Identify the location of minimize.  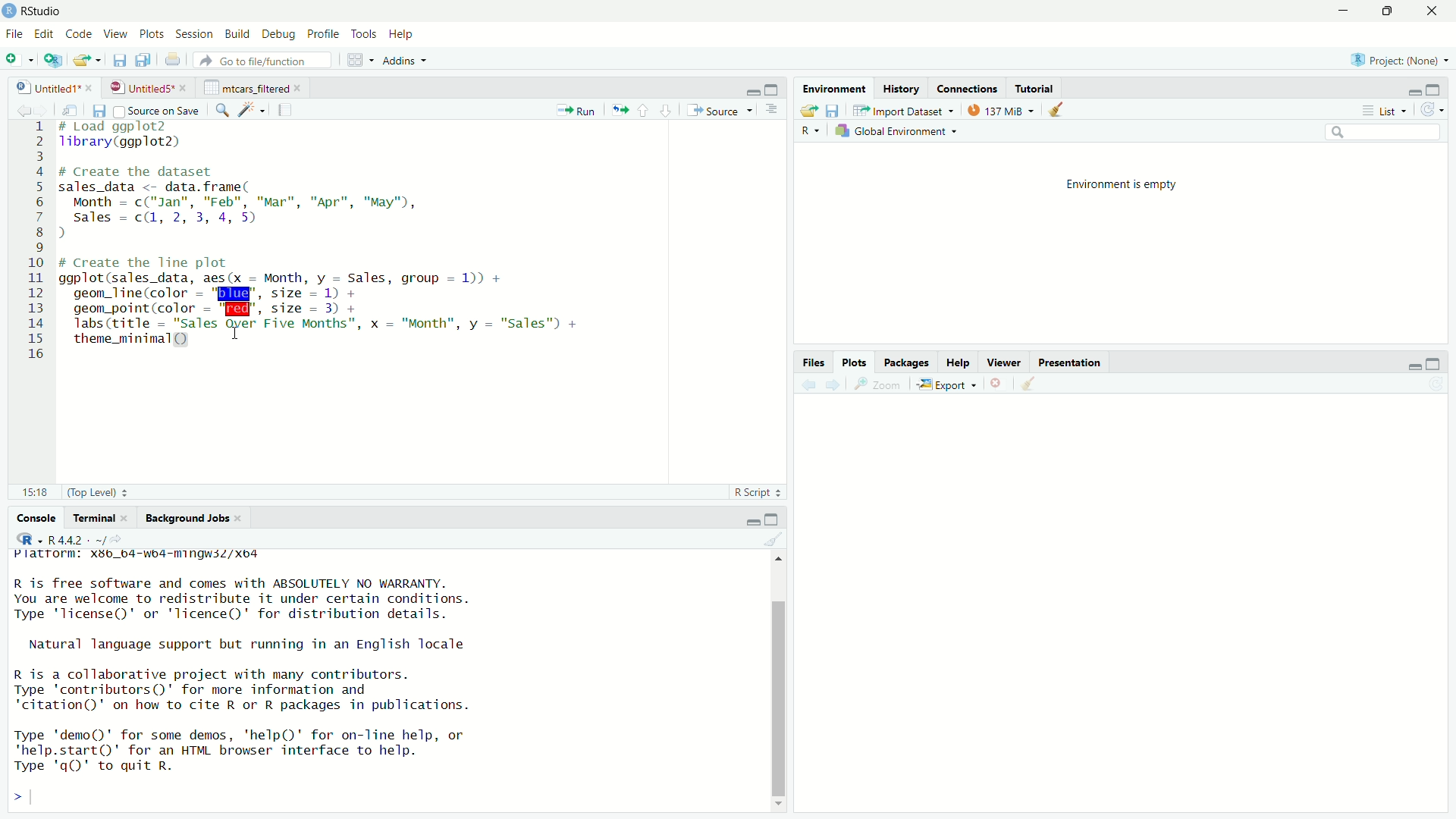
(750, 521).